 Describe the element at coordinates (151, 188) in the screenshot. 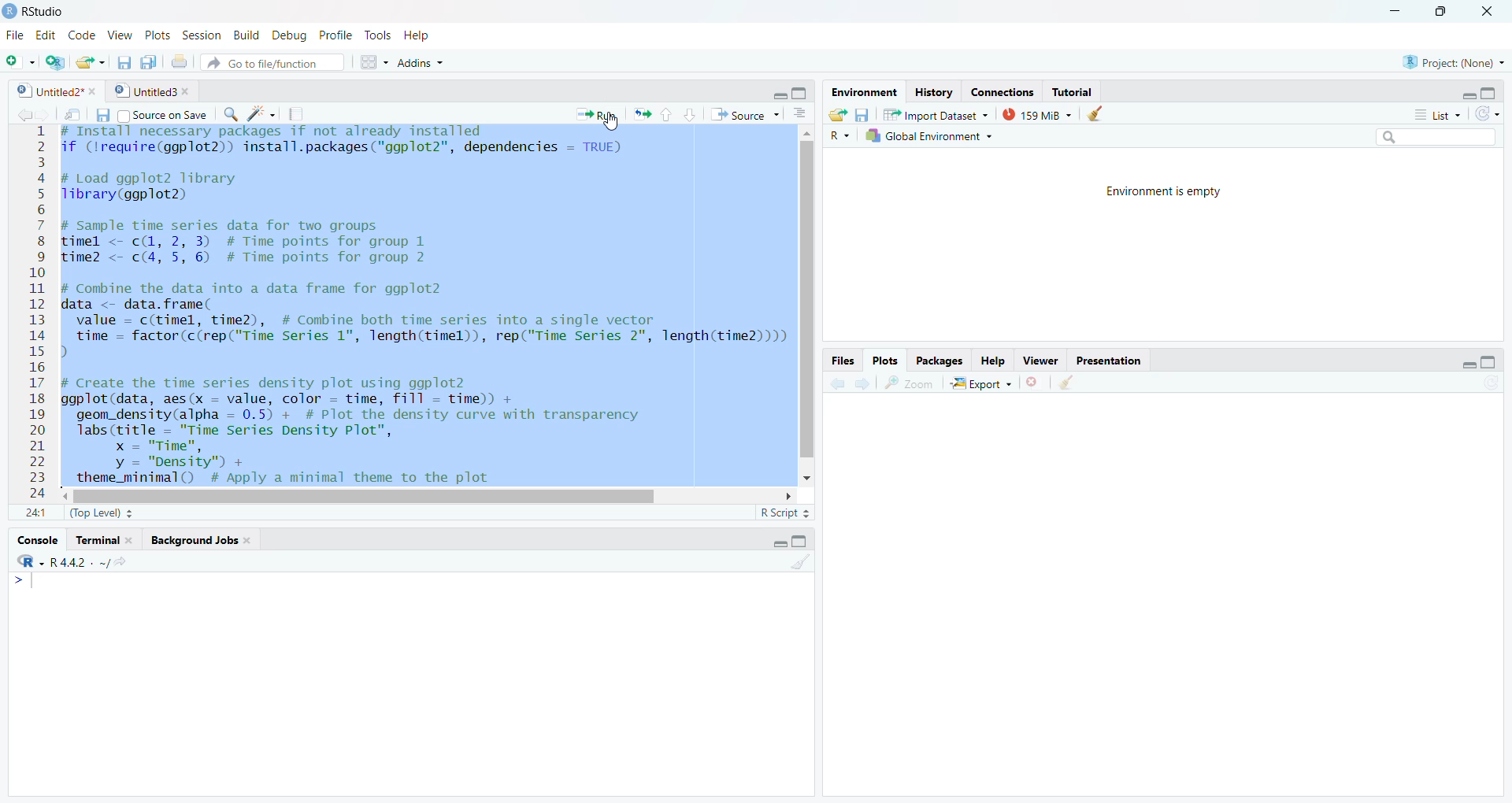

I see `# Load ggplot2 library
library(ggplot2)` at that location.